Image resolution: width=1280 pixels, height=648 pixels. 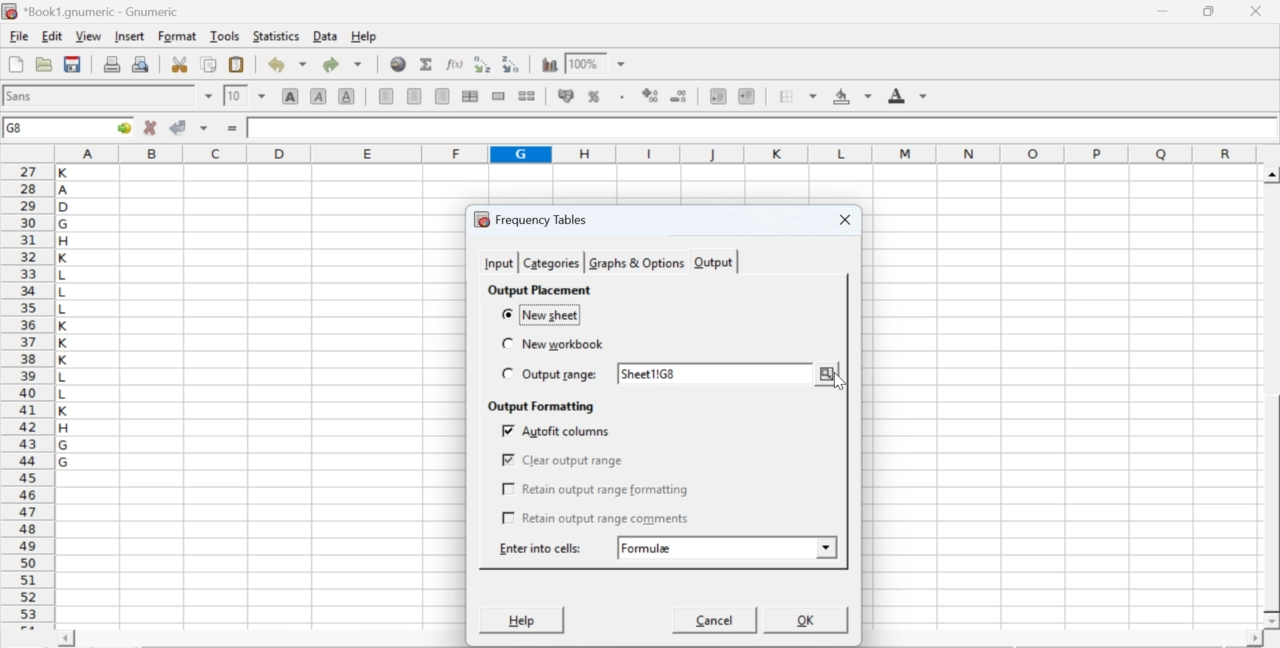 I want to click on application name, so click(x=94, y=9).